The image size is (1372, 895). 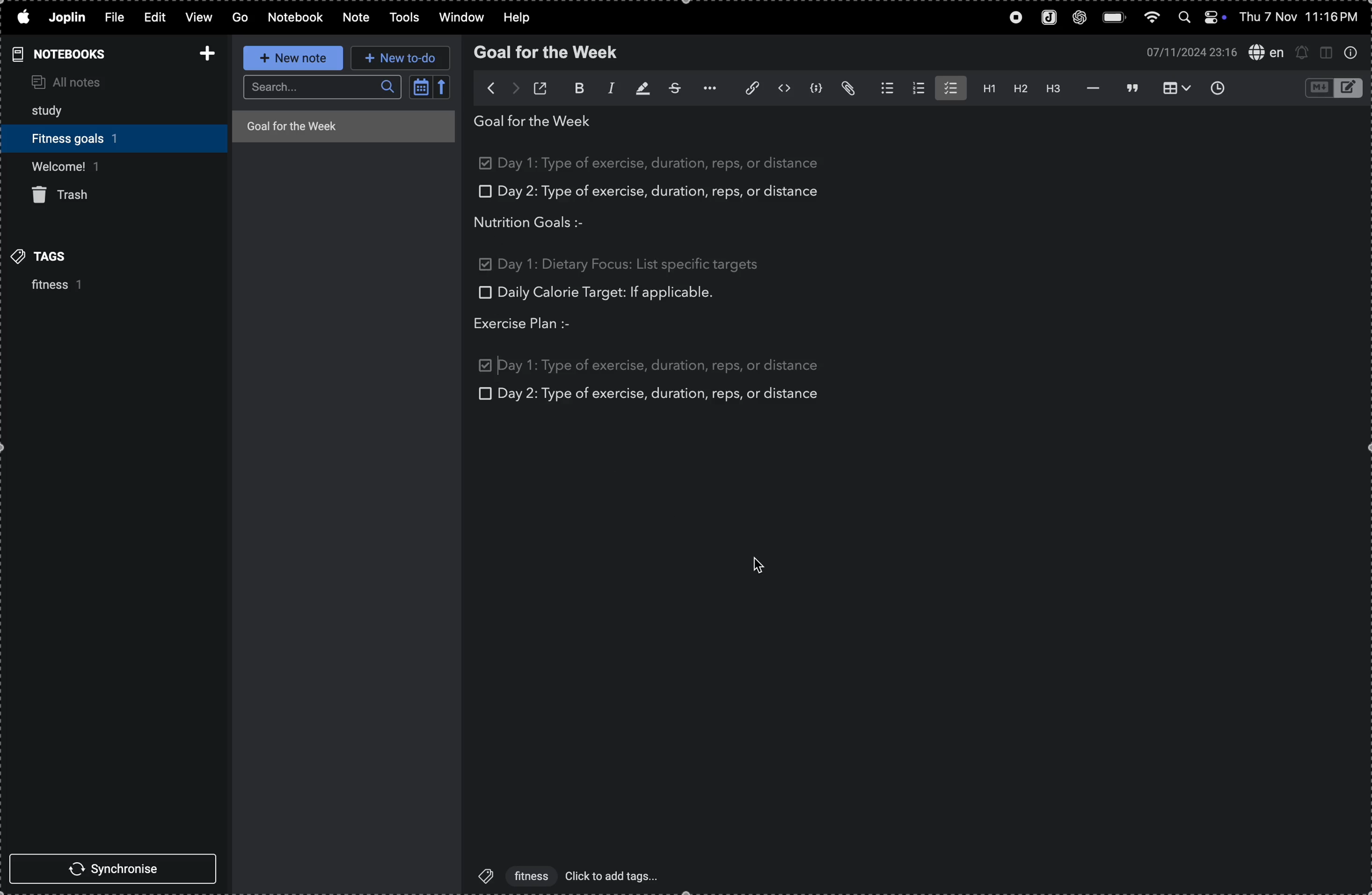 I want to click on  day 1: type of exercise, duration, reps, or distance, so click(x=666, y=163).